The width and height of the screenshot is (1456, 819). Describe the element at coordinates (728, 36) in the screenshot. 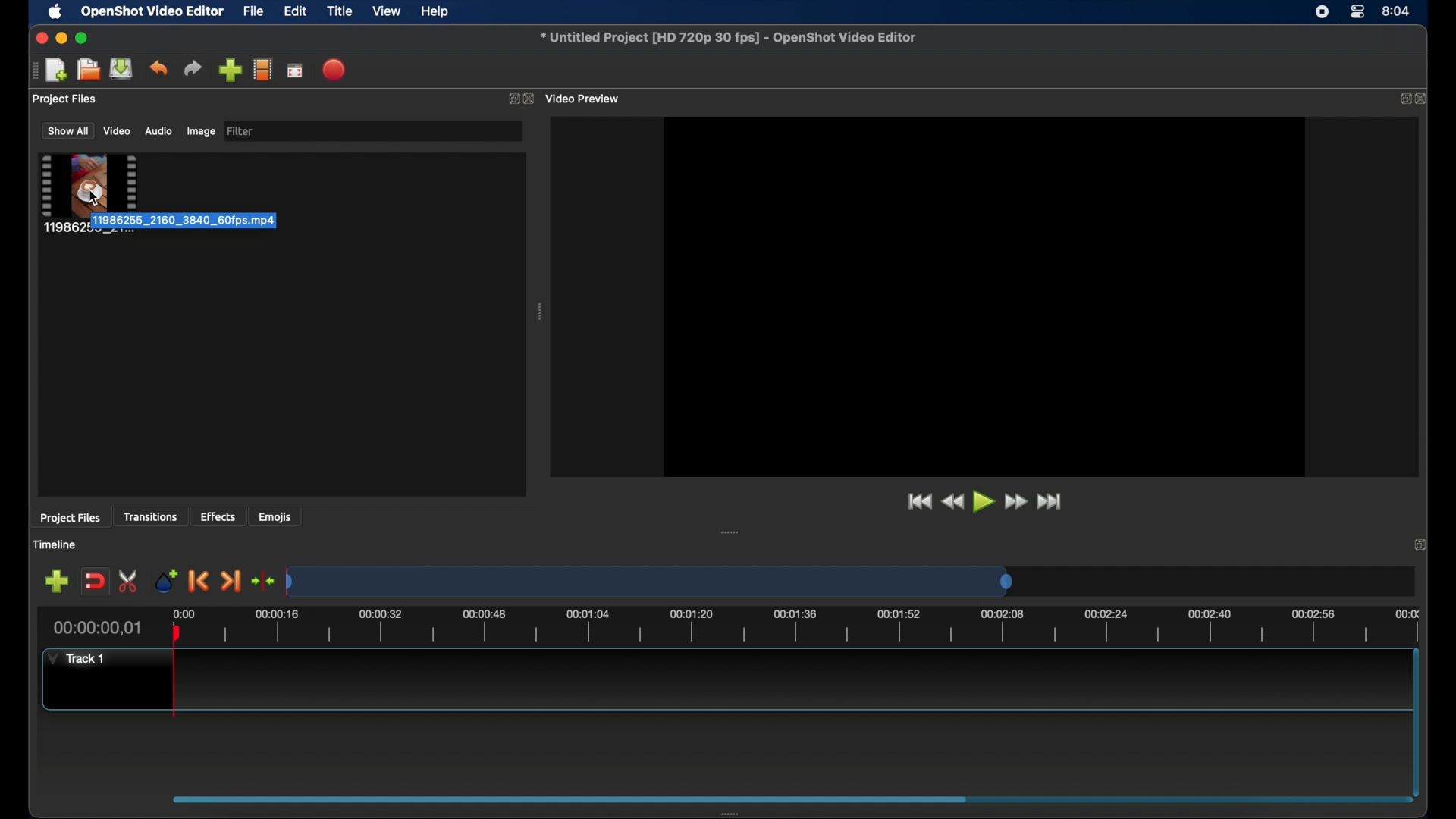

I see `file name` at that location.